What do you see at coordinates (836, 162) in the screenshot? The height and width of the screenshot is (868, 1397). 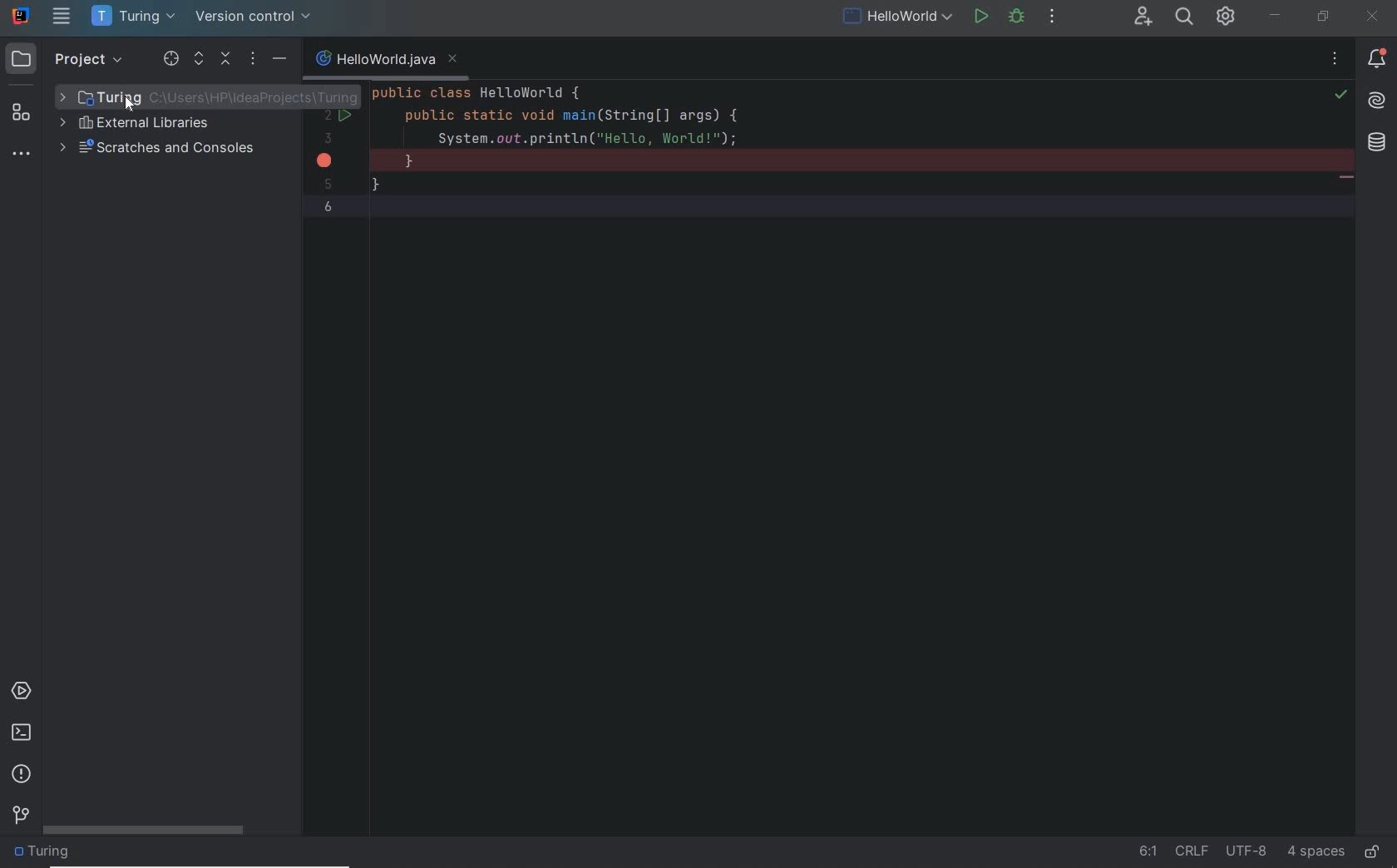 I see `codes` at bounding box center [836, 162].